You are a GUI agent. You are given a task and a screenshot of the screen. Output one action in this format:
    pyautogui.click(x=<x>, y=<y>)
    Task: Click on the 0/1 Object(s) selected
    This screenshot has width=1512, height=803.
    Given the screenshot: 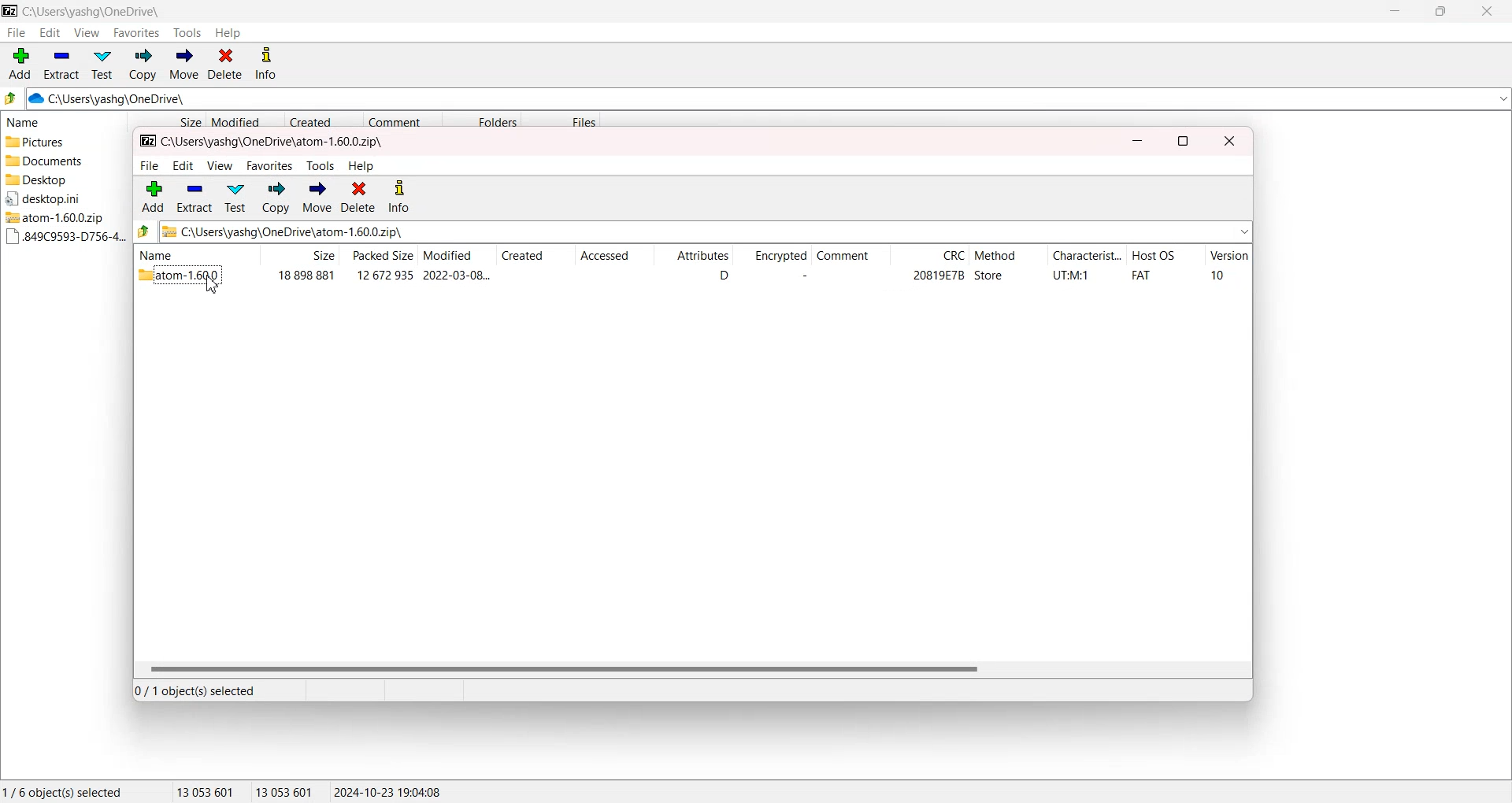 What is the action you would take?
    pyautogui.click(x=196, y=690)
    